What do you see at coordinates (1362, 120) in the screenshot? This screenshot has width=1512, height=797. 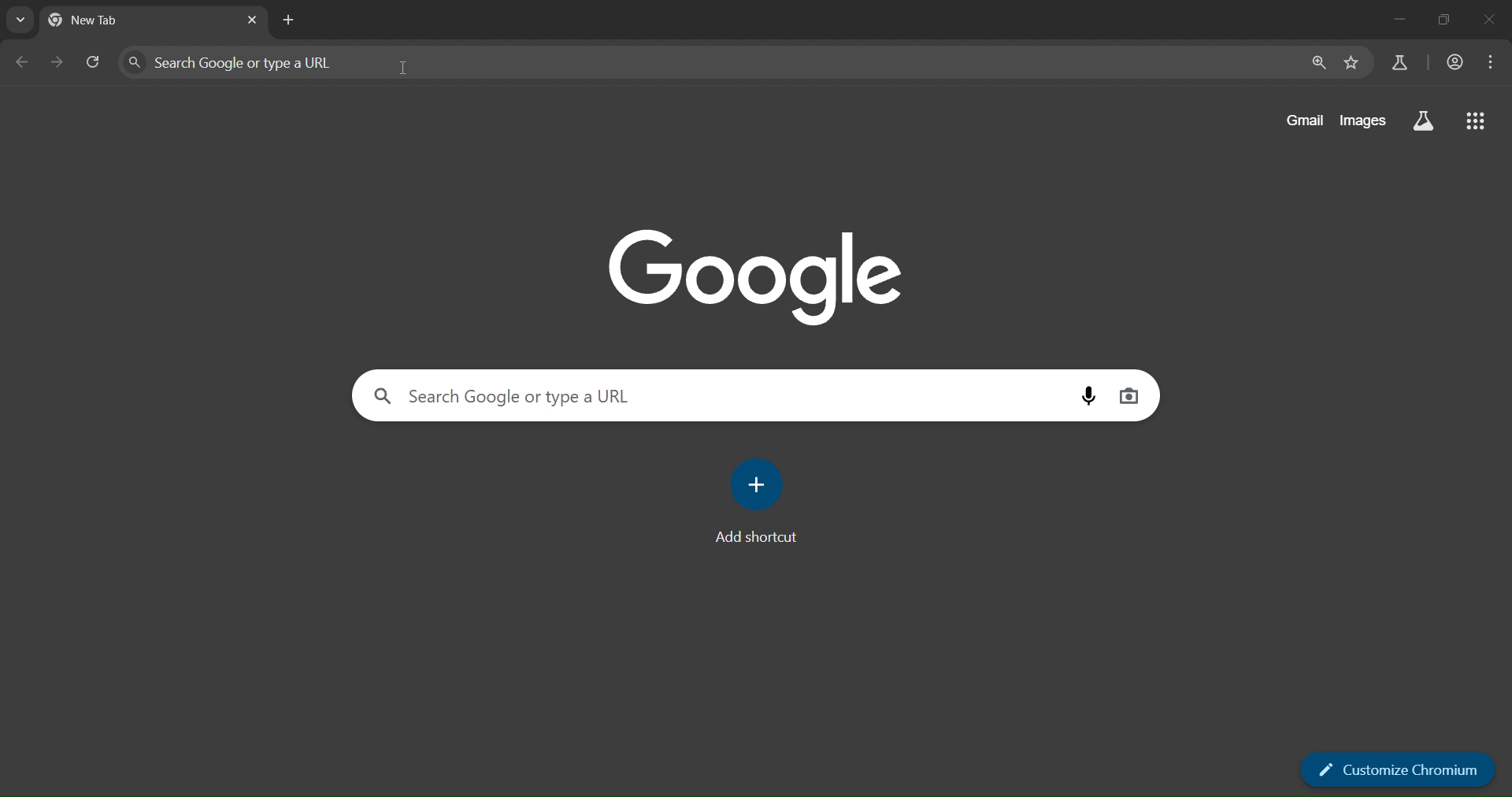 I see `images` at bounding box center [1362, 120].